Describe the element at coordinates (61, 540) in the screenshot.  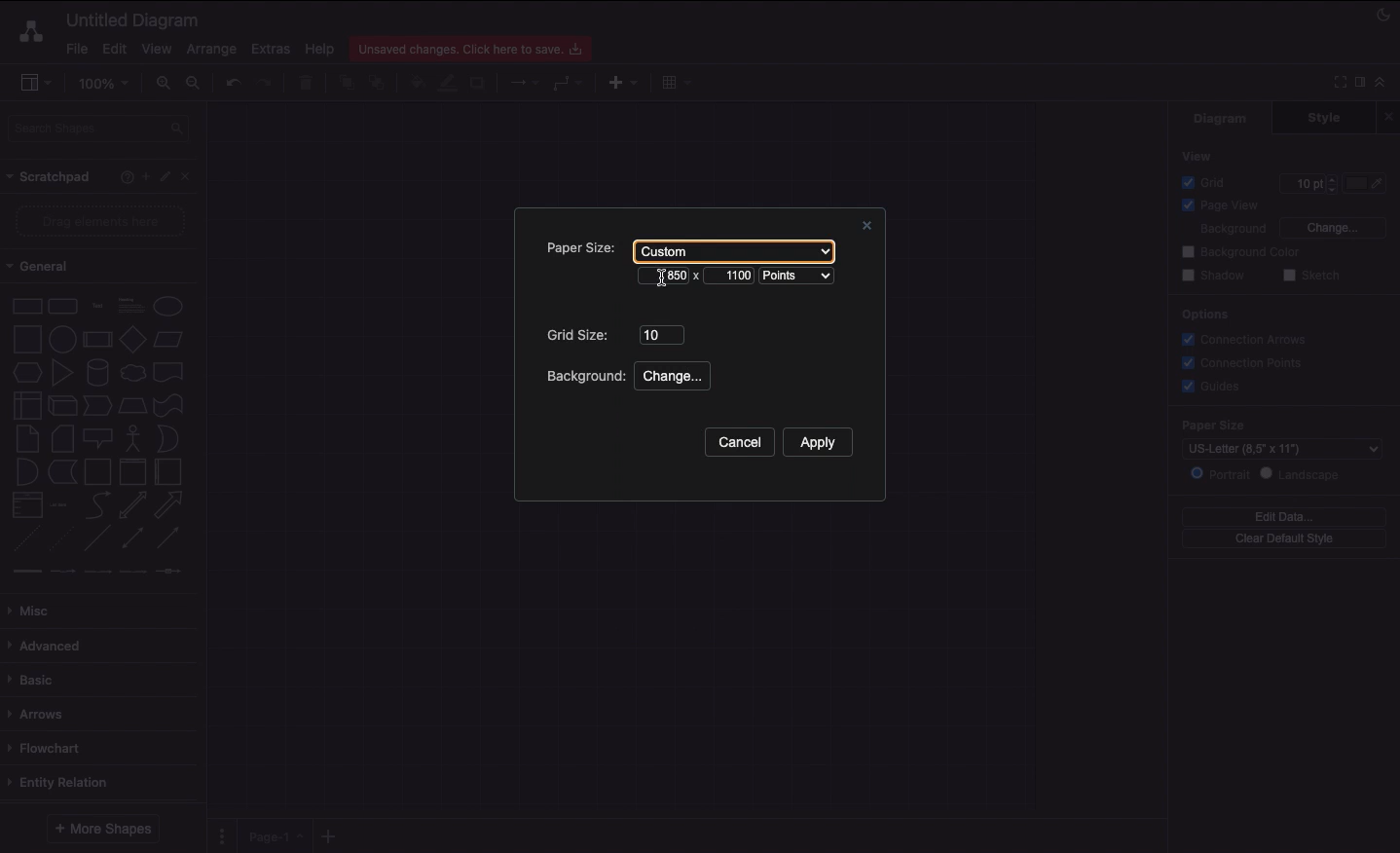
I see `Dotted line` at that location.